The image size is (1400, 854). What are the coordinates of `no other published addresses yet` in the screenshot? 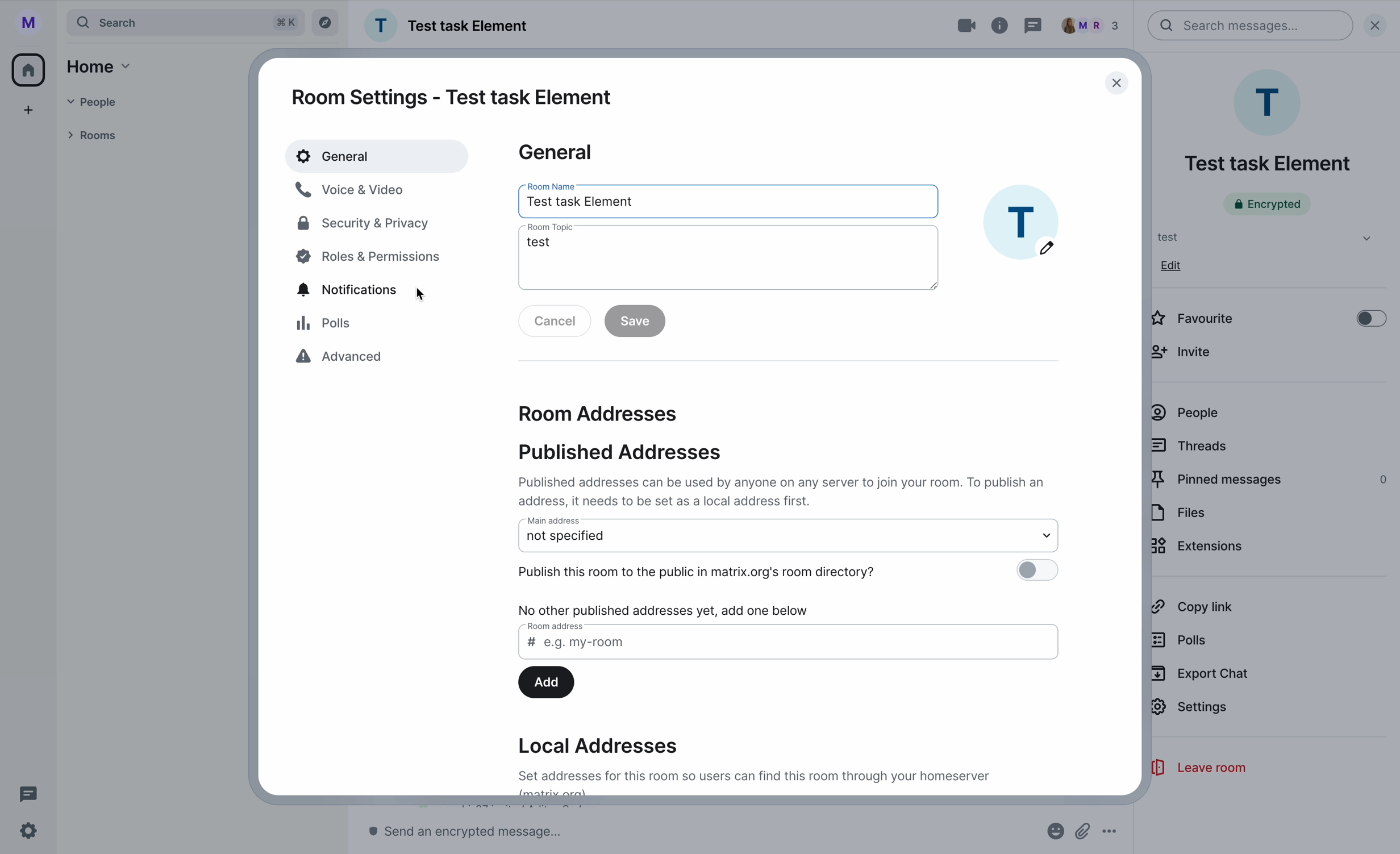 It's located at (674, 608).